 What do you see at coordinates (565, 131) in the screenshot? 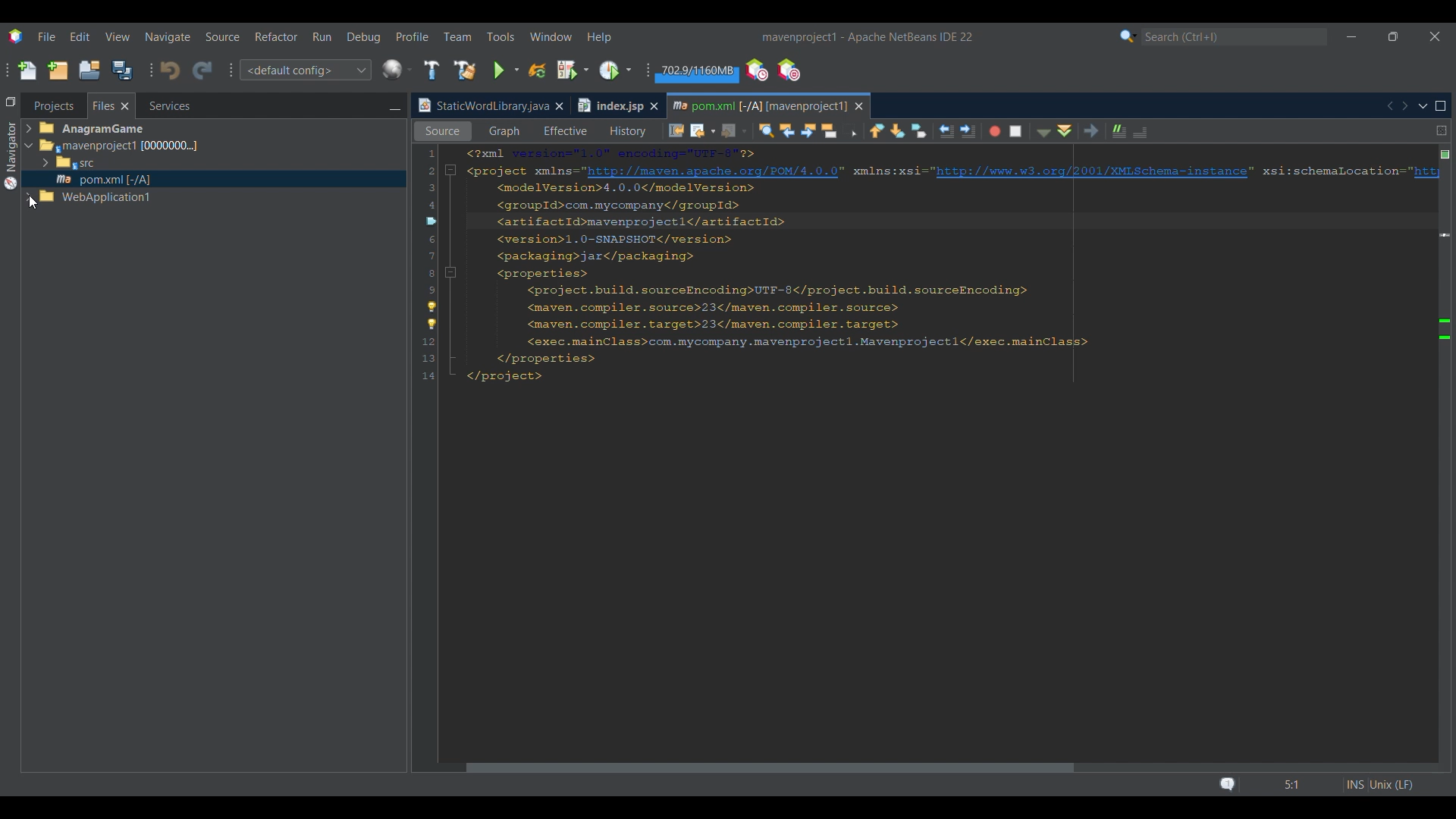
I see `Effective view` at bounding box center [565, 131].